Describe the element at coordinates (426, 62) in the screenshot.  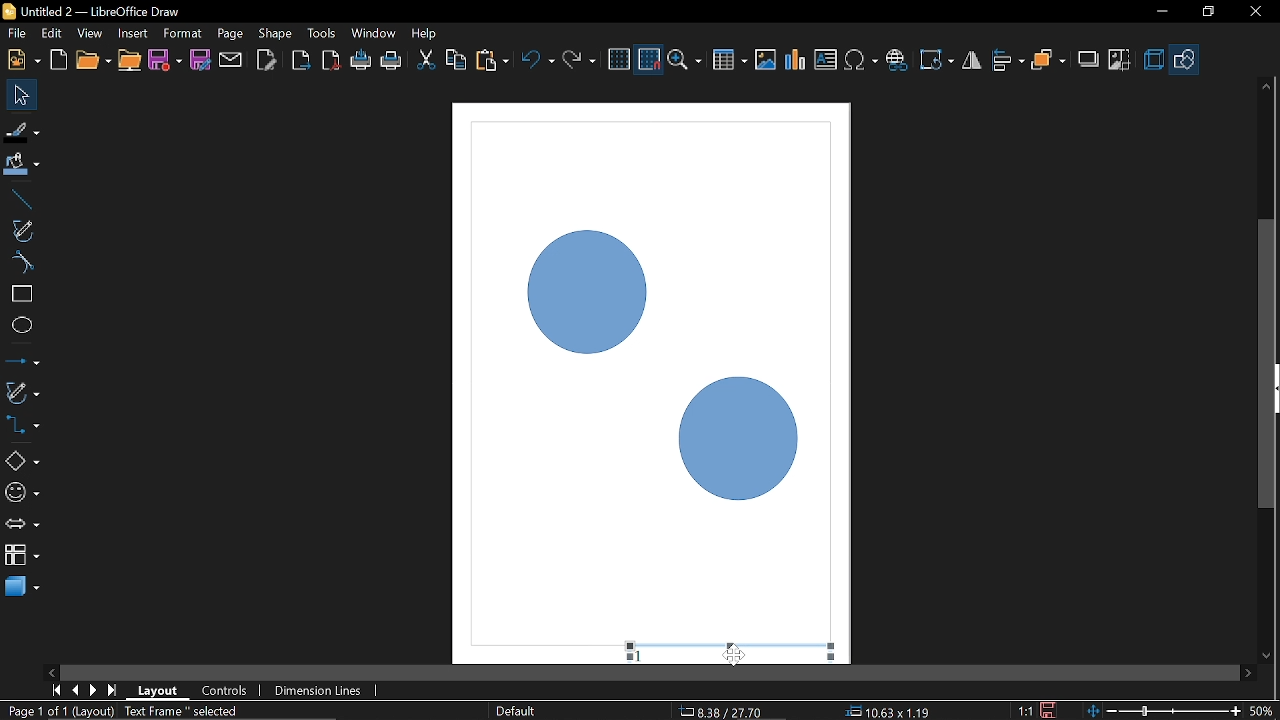
I see `Cut` at that location.